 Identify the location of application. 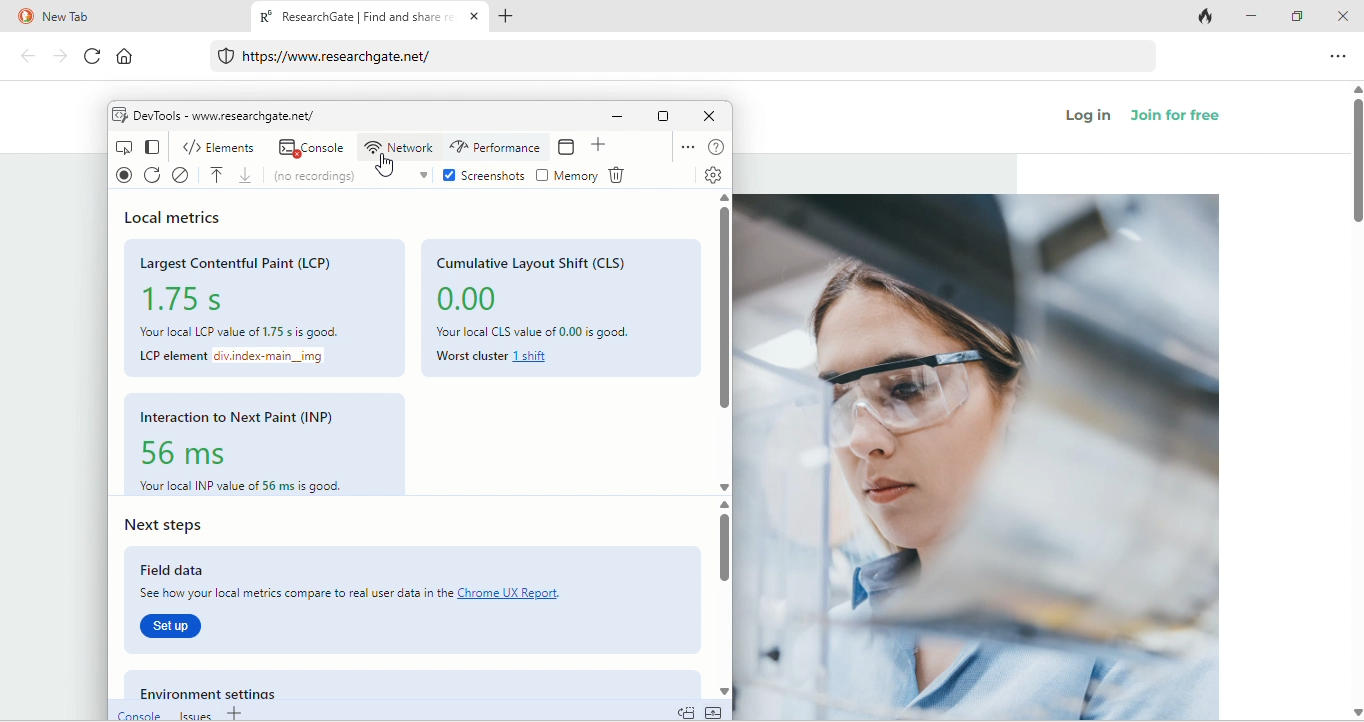
(570, 147).